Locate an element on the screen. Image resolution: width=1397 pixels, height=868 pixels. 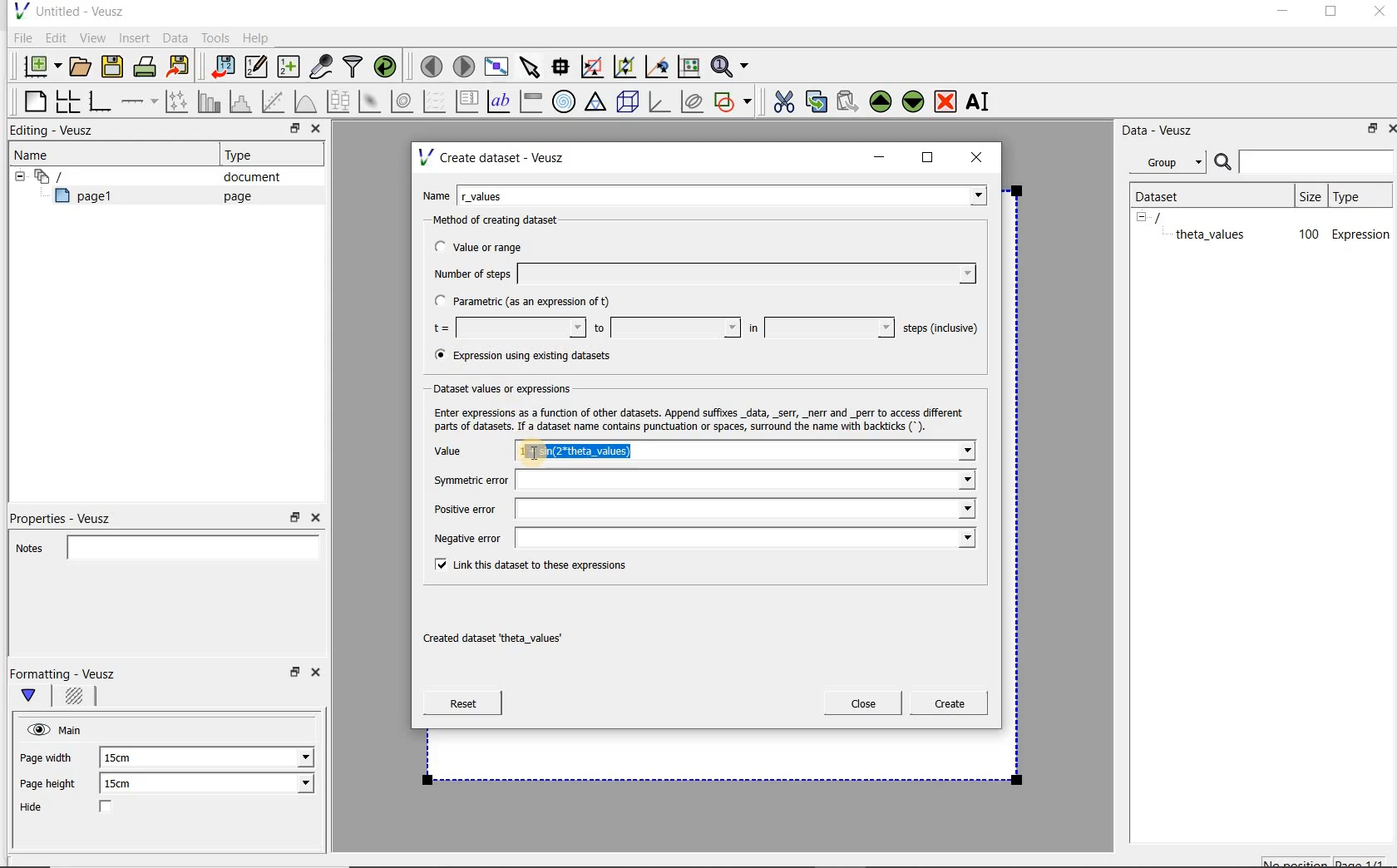
Formatting - Veusz is located at coordinates (65, 673).